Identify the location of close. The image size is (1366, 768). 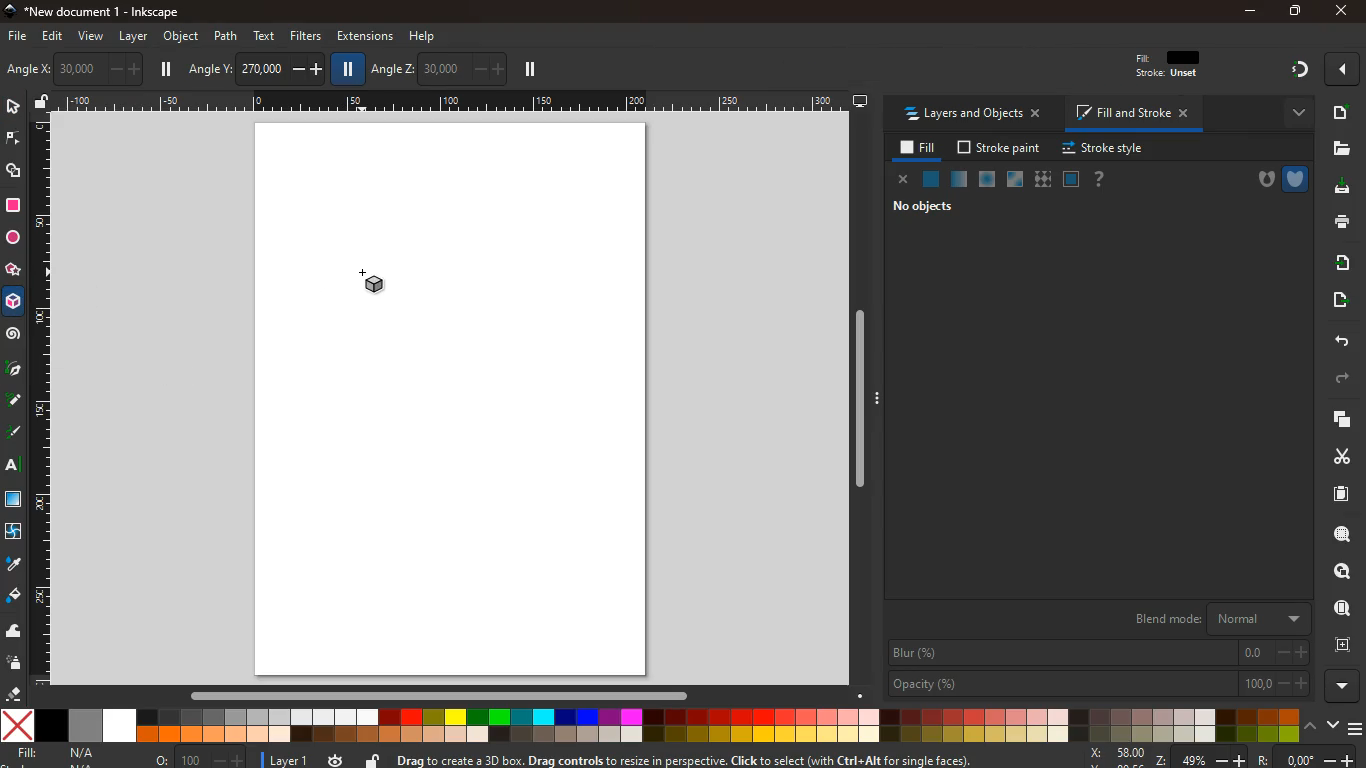
(903, 180).